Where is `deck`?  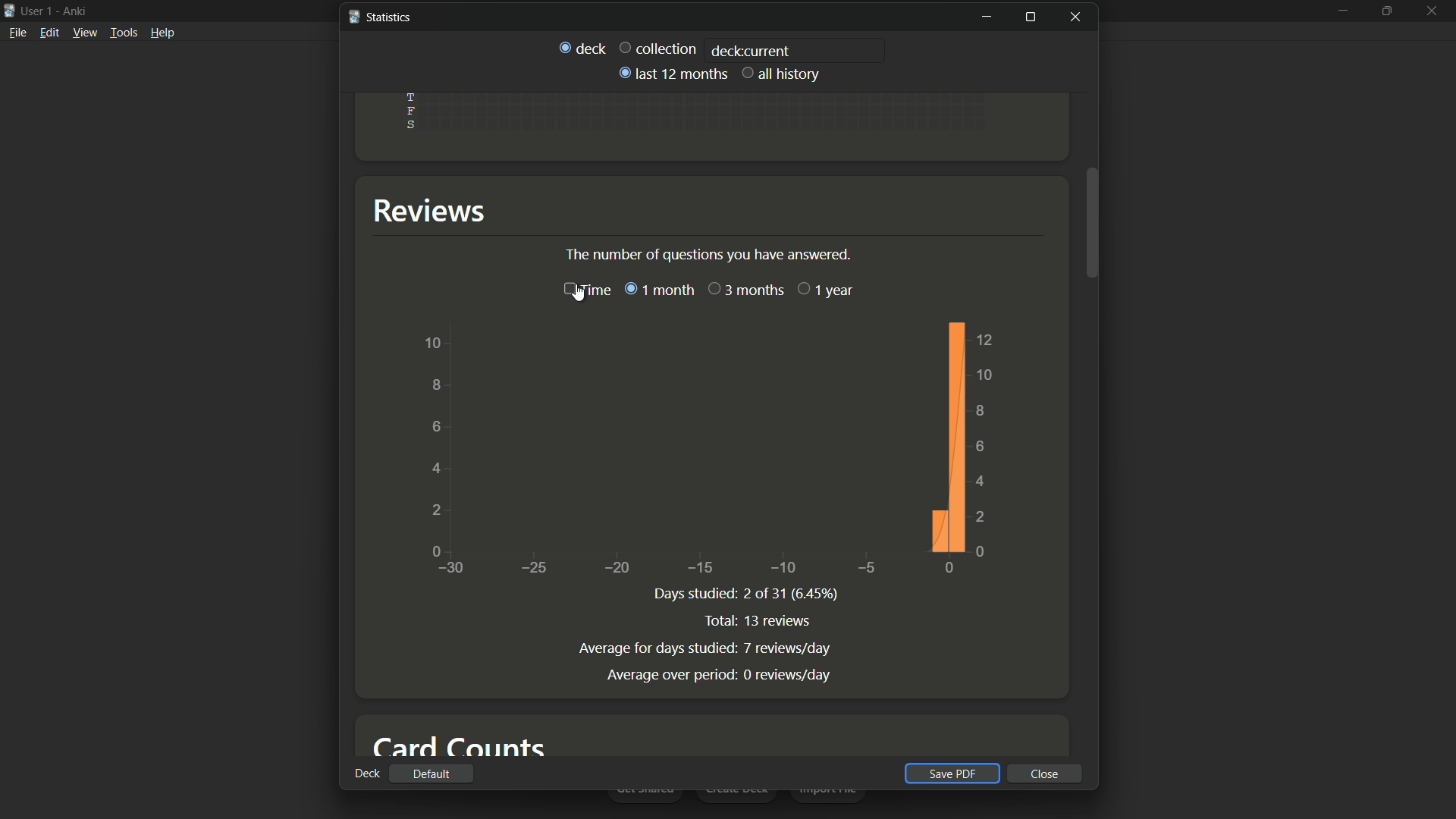
deck is located at coordinates (582, 46).